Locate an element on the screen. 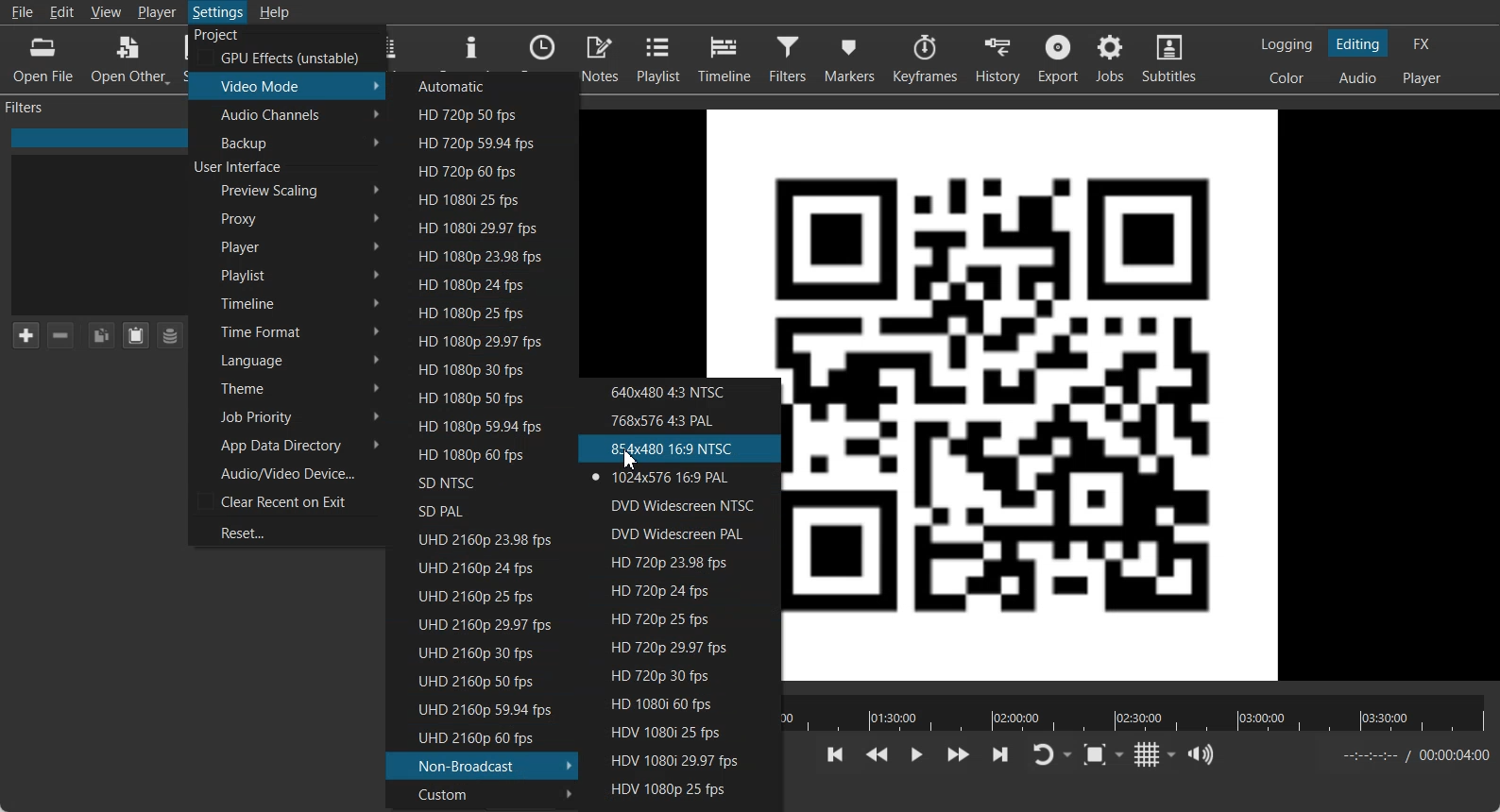 The width and height of the screenshot is (1500, 812). Time Format is located at coordinates (287, 331).